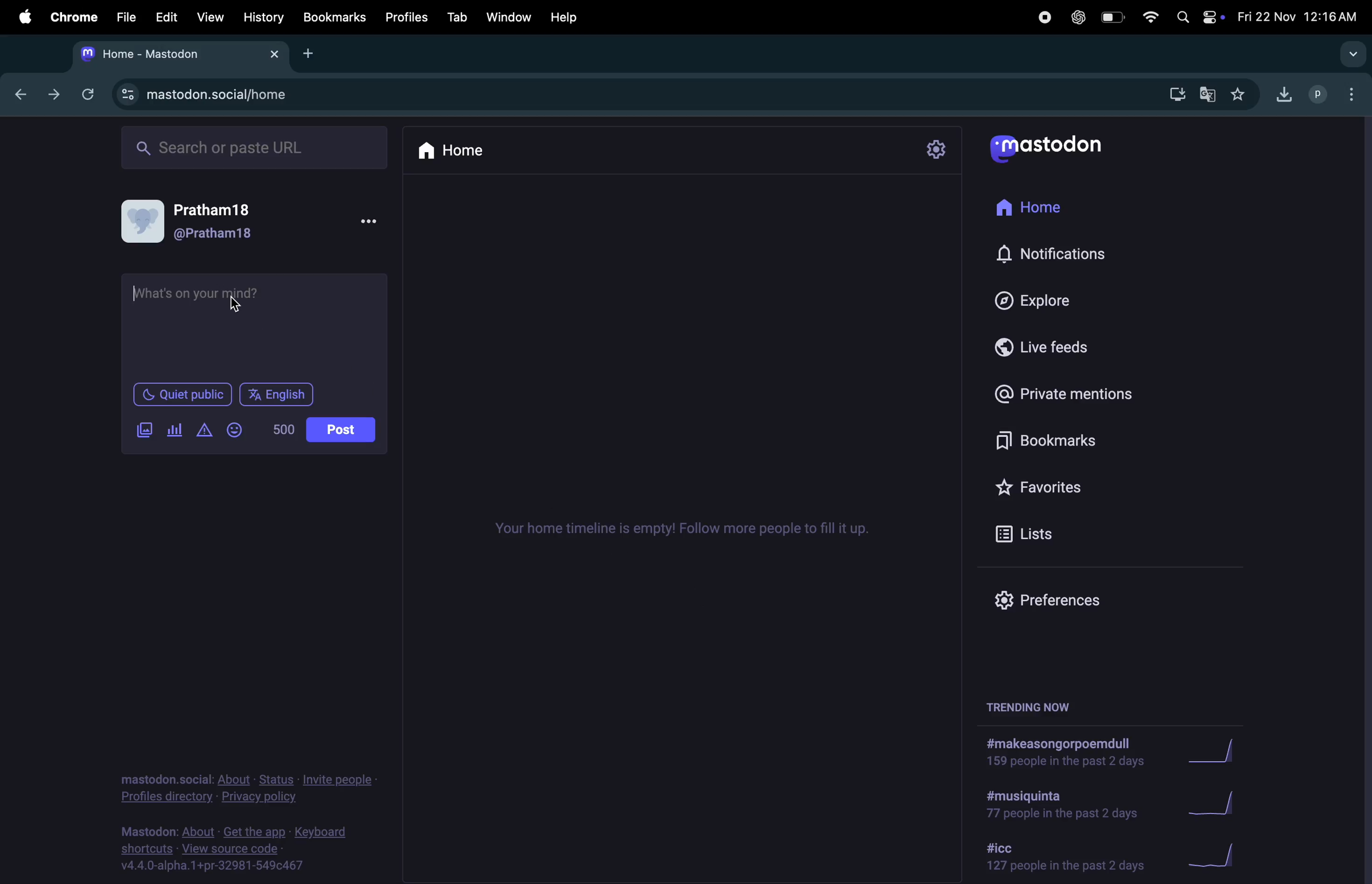 The width and height of the screenshot is (1372, 884). Describe the element at coordinates (1217, 802) in the screenshot. I see `graph` at that location.